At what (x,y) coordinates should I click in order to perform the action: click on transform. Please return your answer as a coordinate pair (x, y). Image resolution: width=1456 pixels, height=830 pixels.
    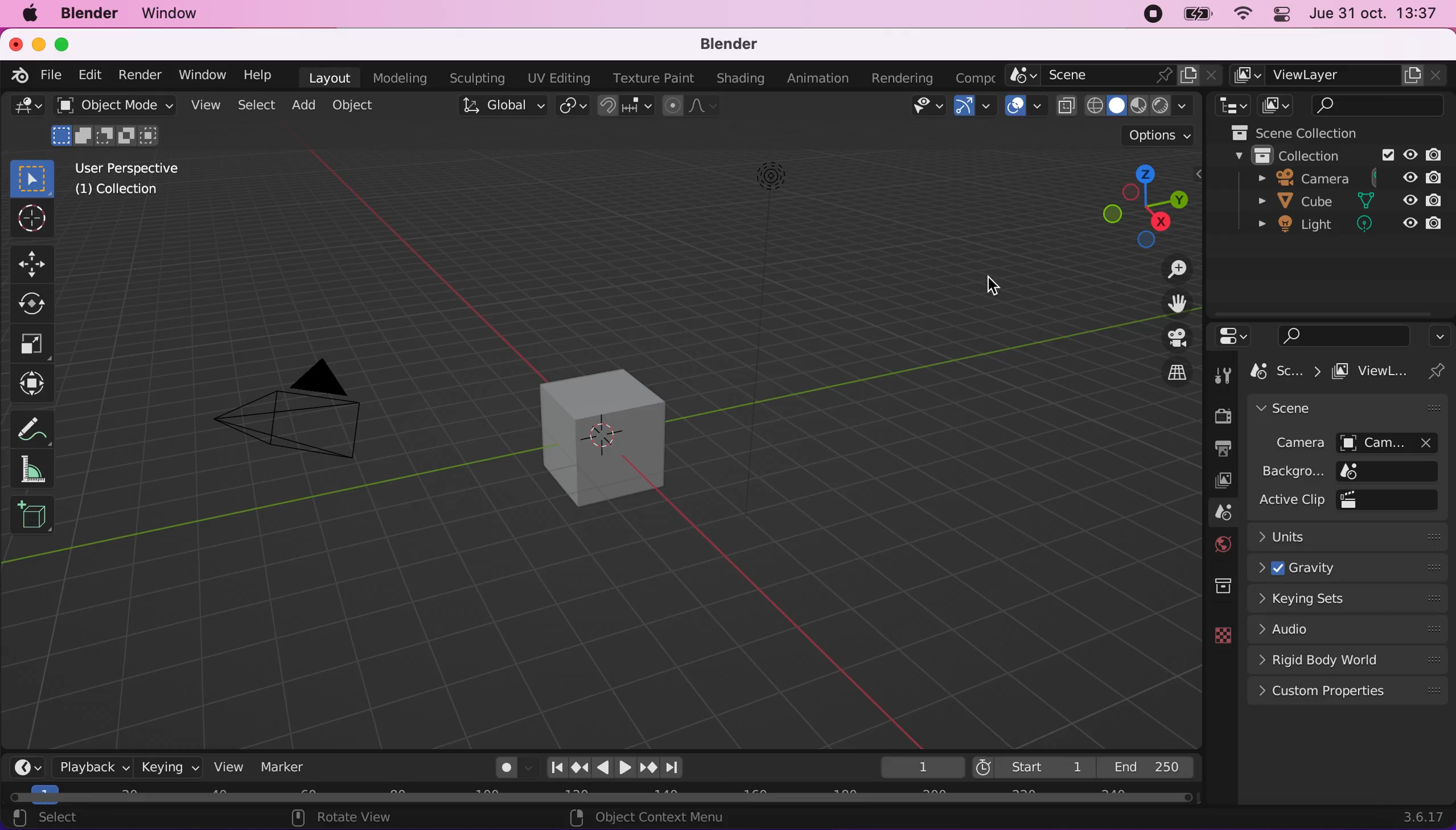
    Looking at the image, I should click on (36, 381).